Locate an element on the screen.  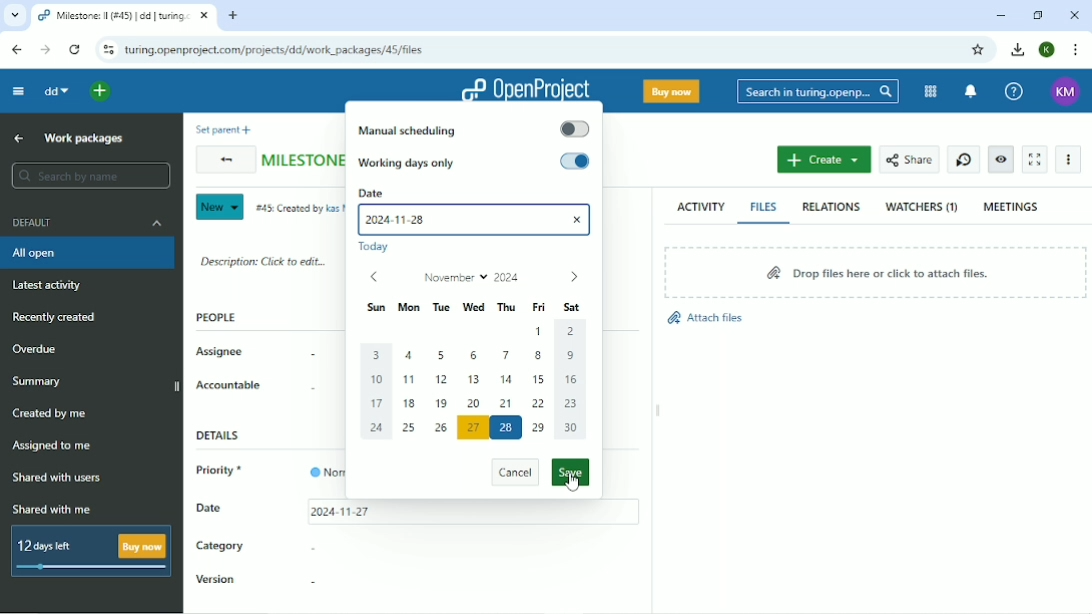
27 is located at coordinates (473, 428).